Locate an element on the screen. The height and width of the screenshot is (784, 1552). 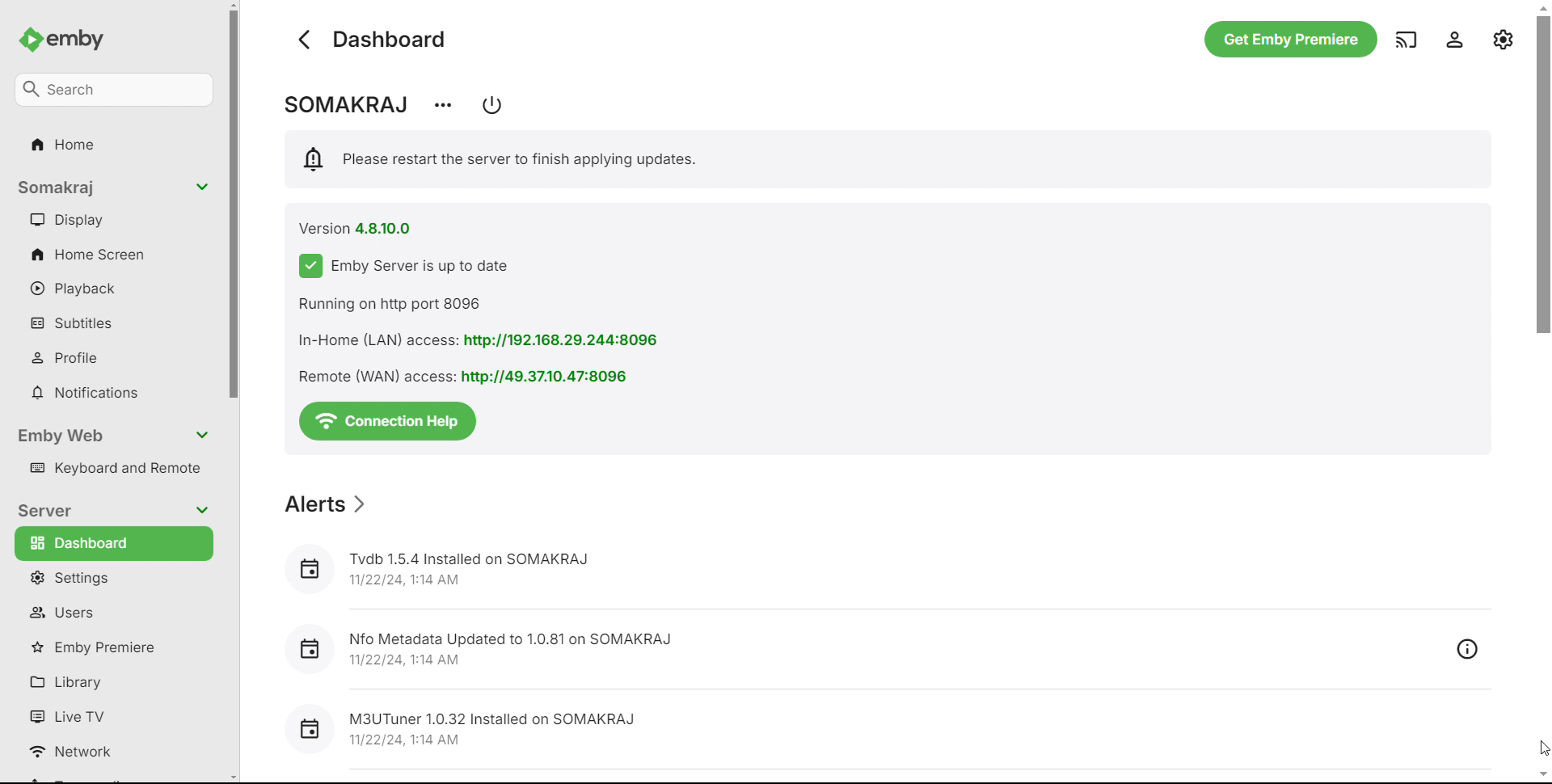
play on another device is located at coordinates (1405, 39).